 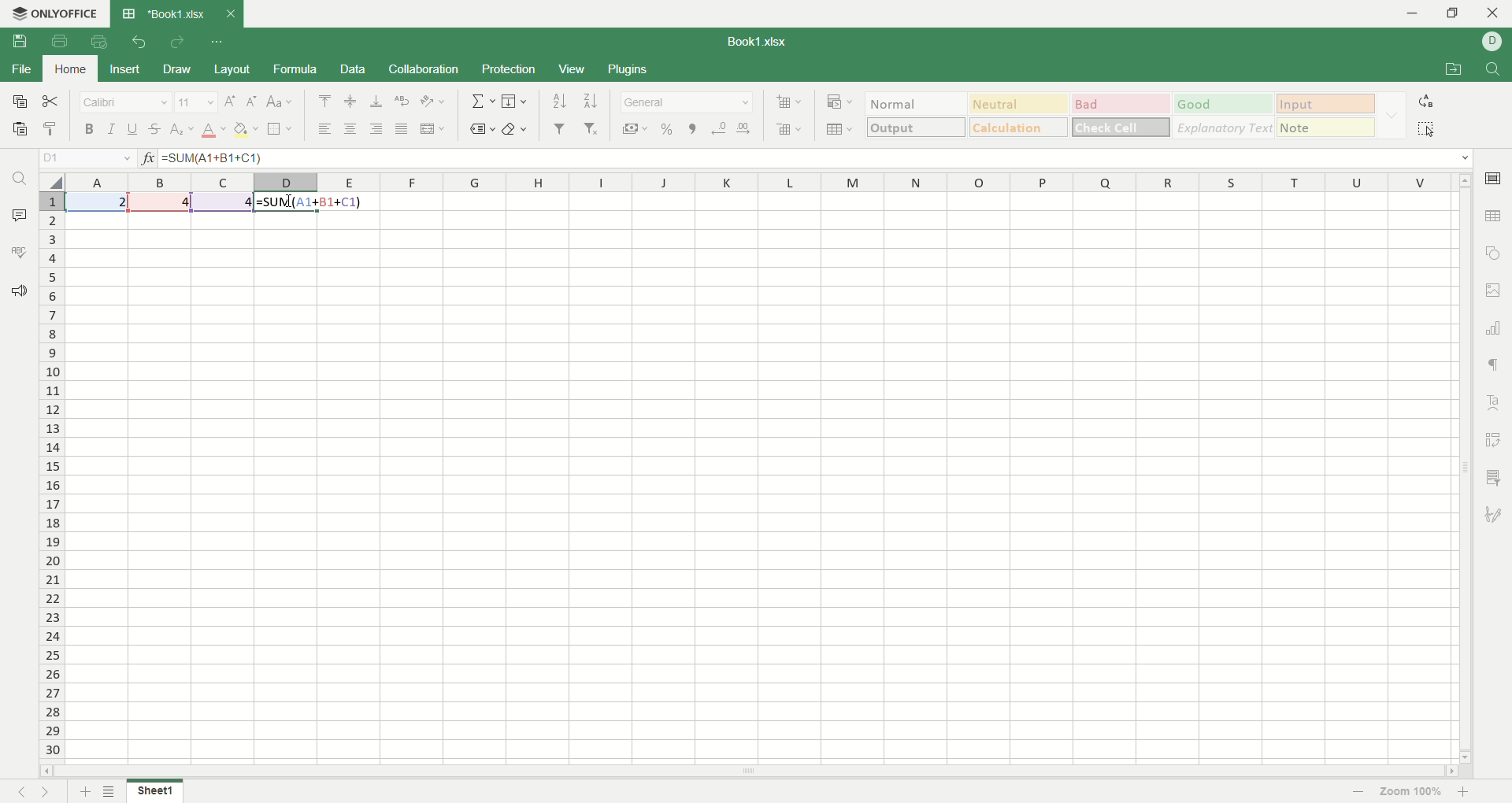 I want to click on file, so click(x=20, y=68).